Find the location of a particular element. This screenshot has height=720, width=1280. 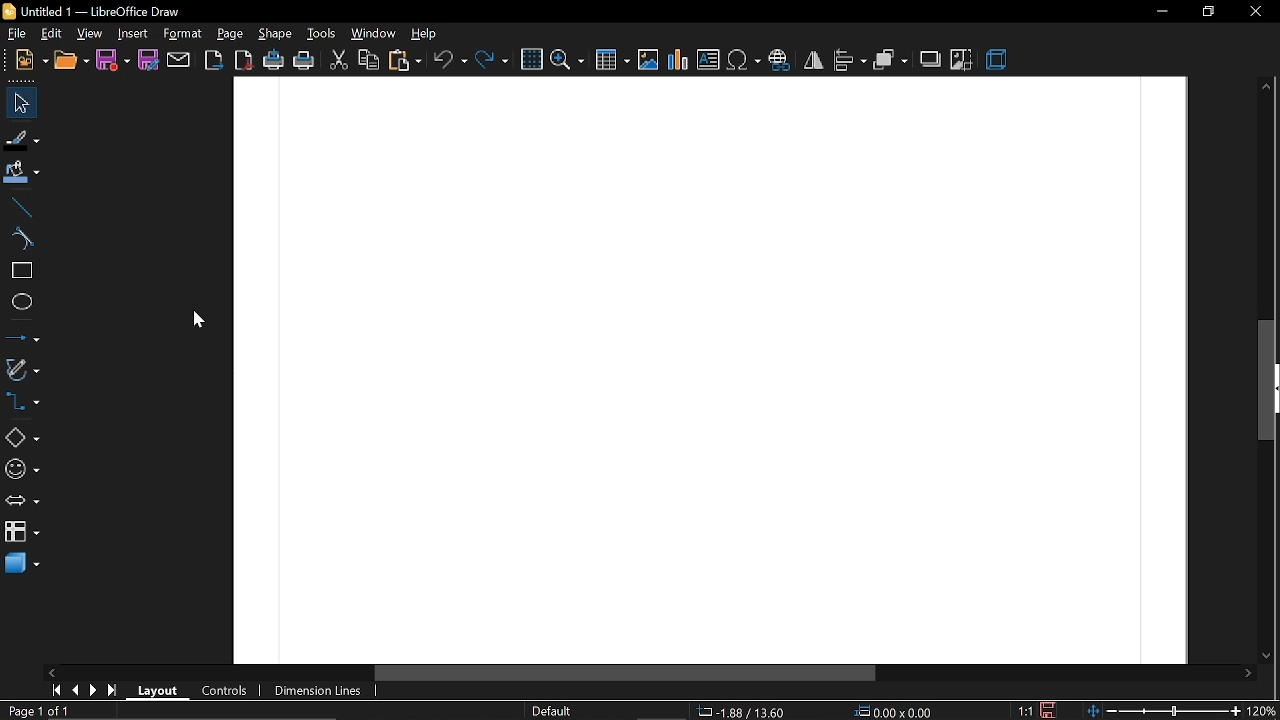

move down is located at coordinates (1267, 656).